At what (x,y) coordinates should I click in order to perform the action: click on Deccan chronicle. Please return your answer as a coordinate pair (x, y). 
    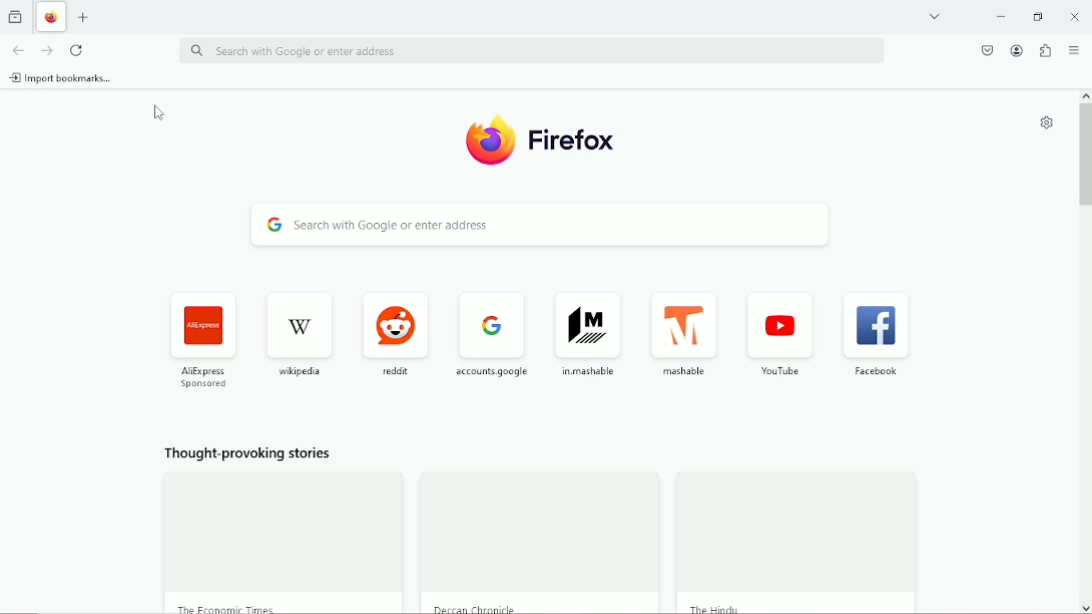
    Looking at the image, I should click on (478, 608).